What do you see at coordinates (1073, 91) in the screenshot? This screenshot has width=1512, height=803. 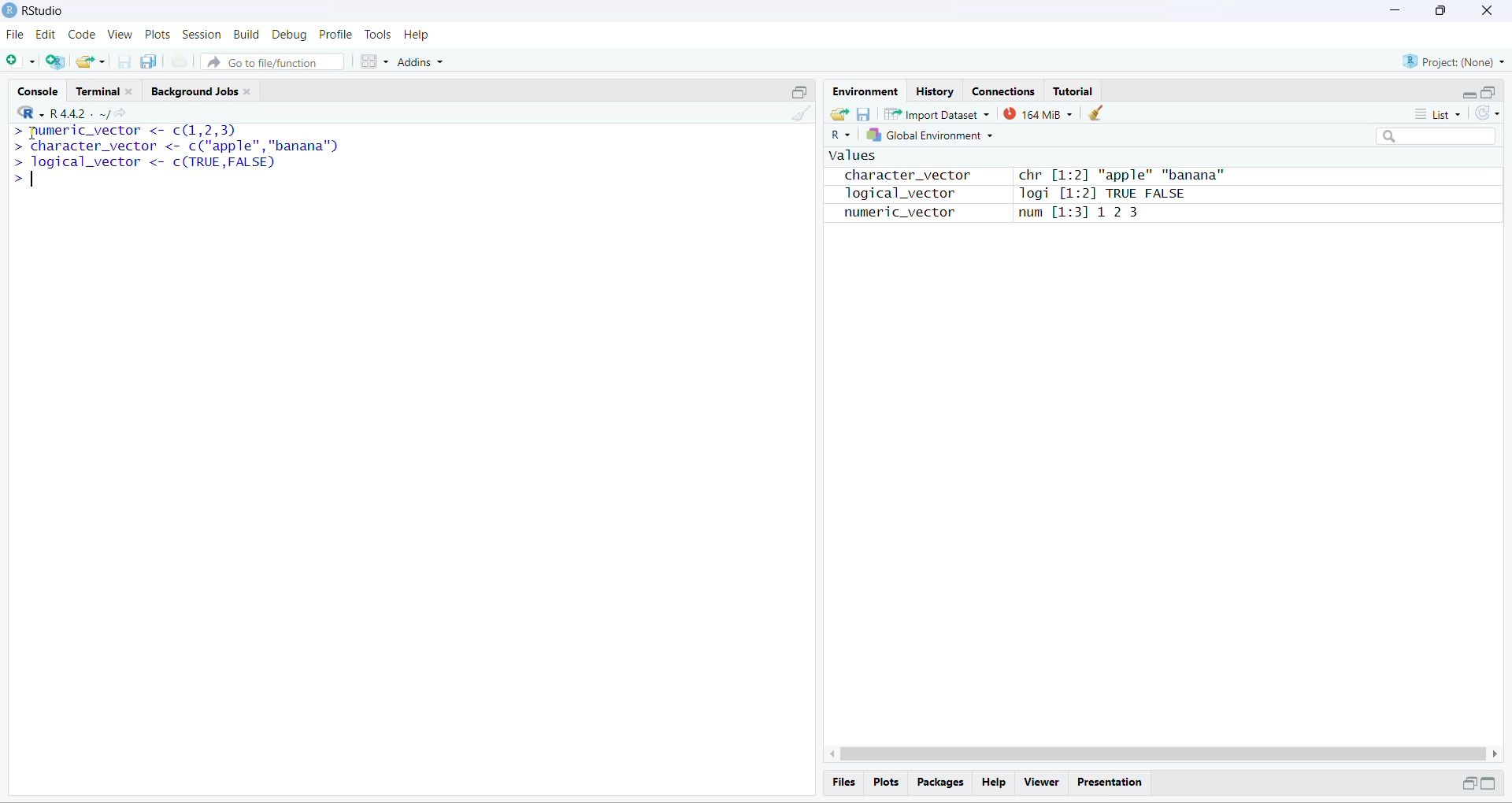 I see `Tutorial` at bounding box center [1073, 91].